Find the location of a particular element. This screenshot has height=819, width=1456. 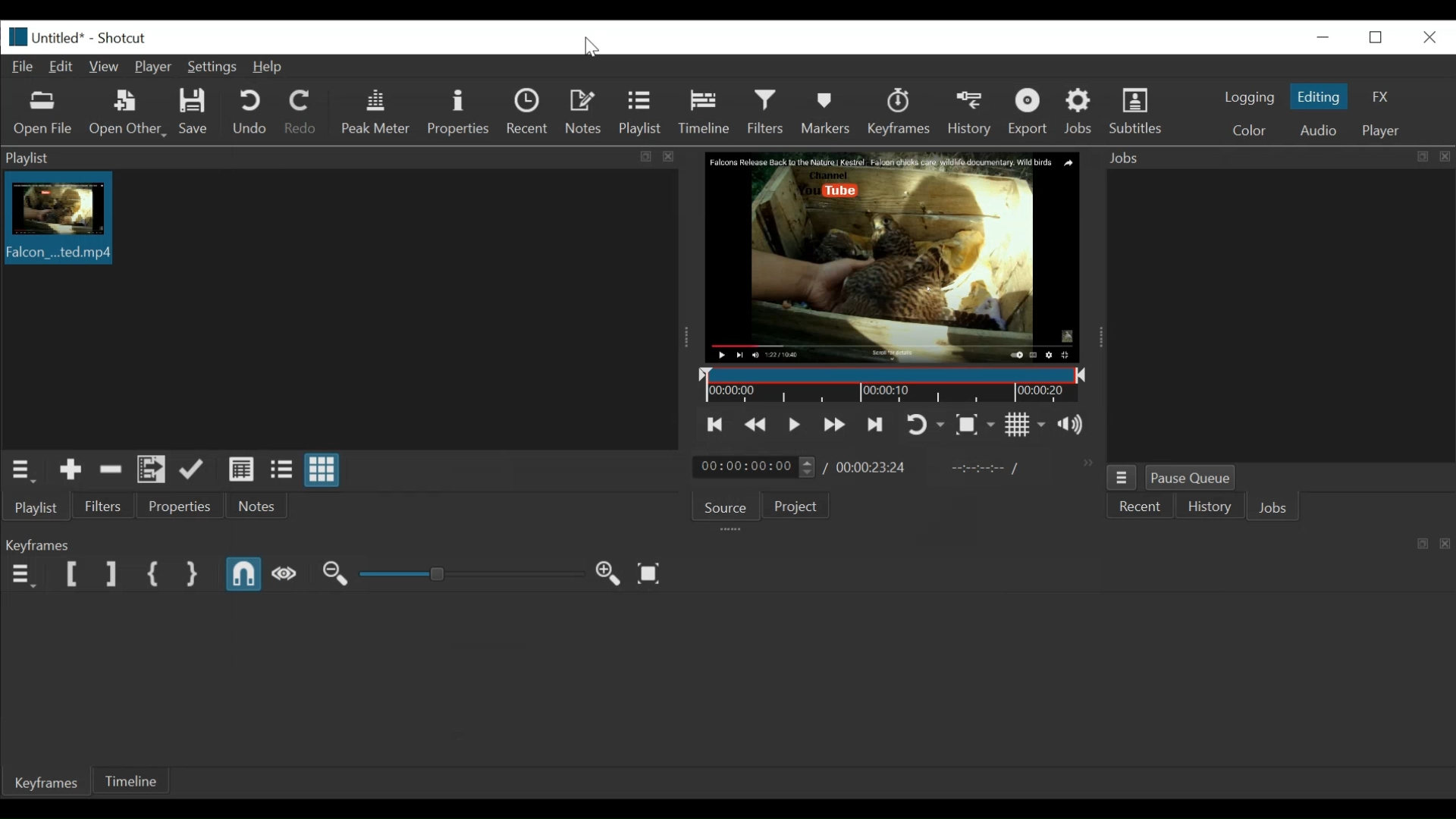

Toggle Zoom is located at coordinates (976, 424).